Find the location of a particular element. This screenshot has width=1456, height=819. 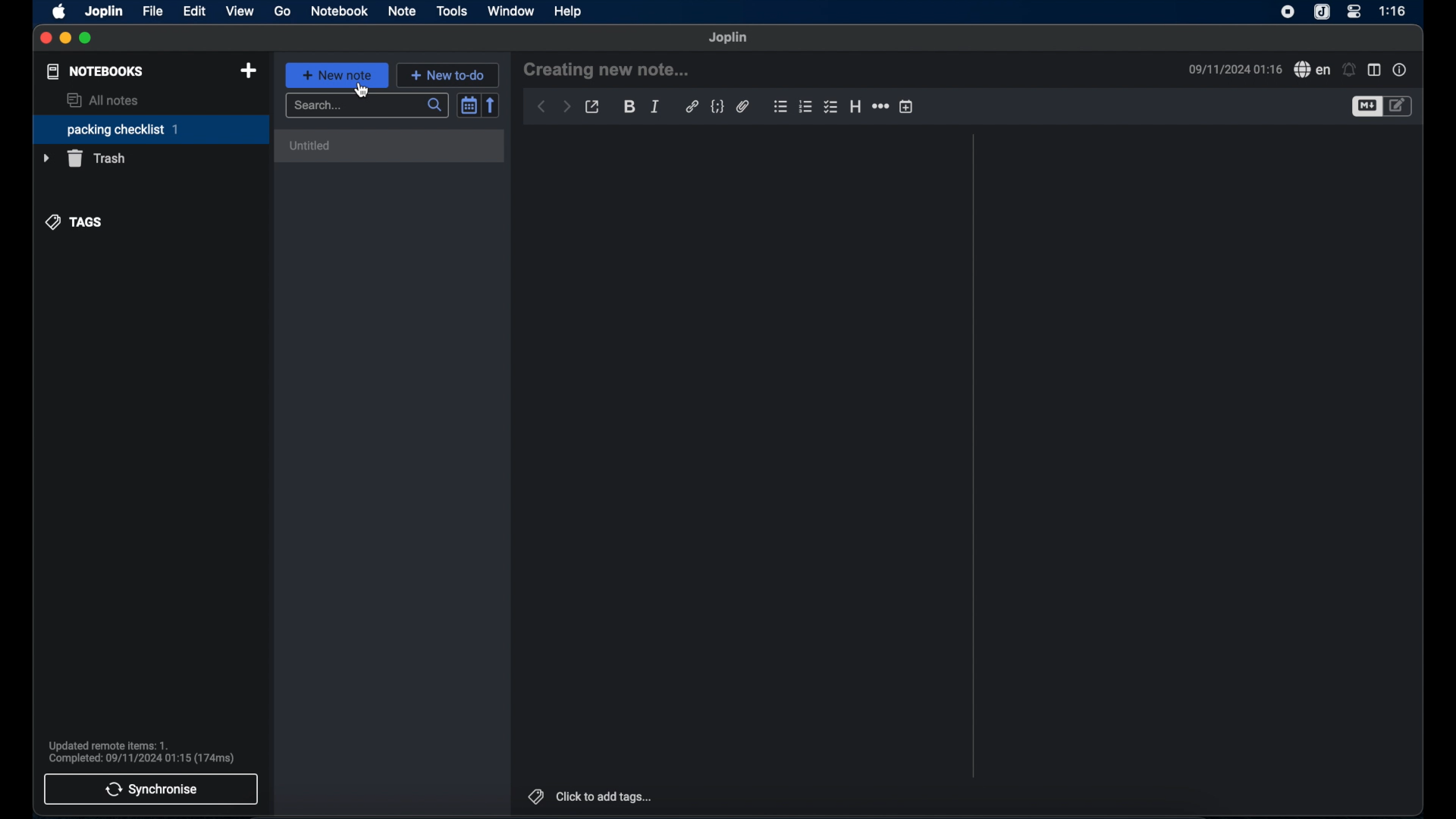

creating new note... is located at coordinates (611, 71).